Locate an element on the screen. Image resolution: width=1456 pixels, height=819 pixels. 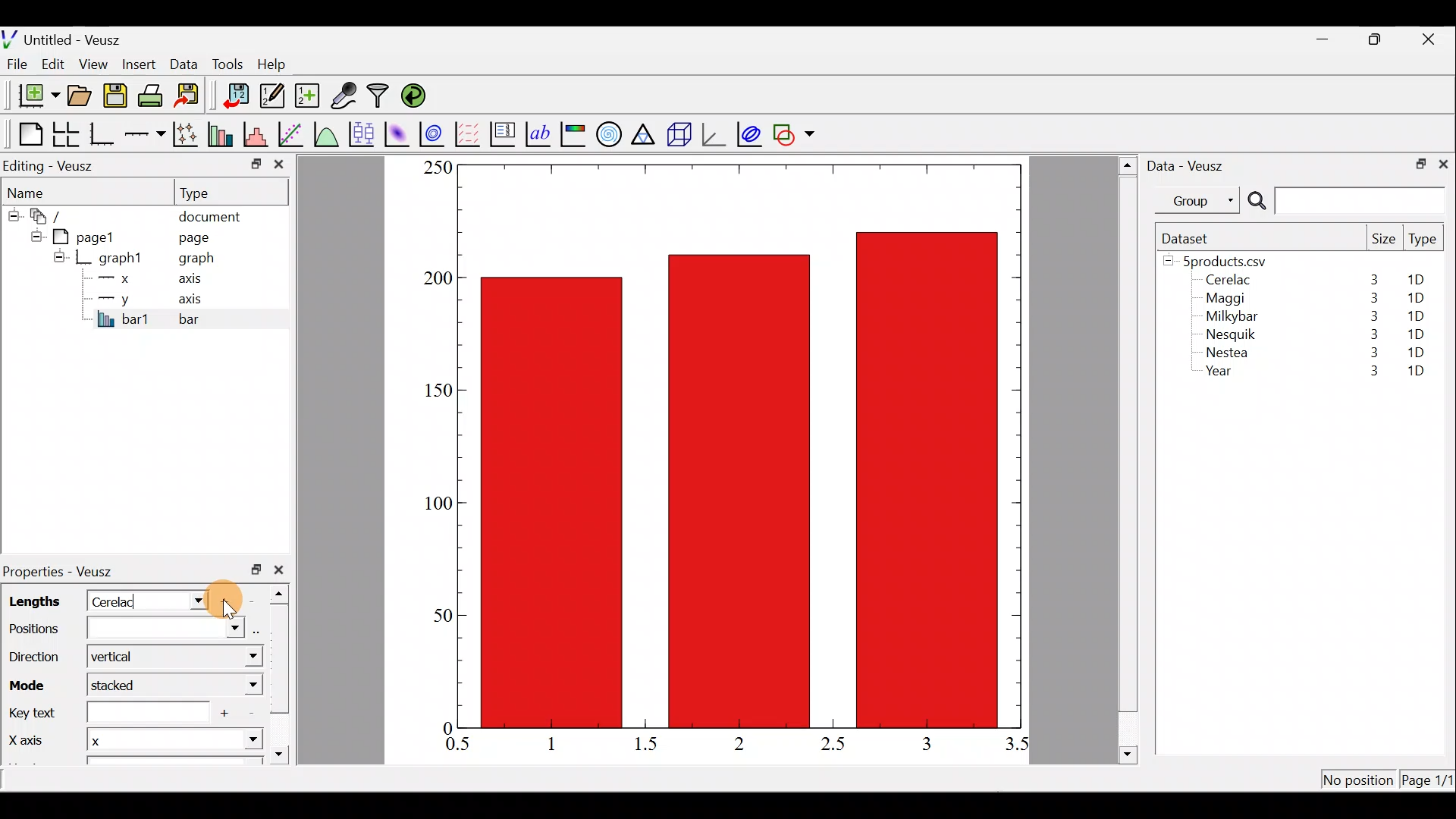
graph1 is located at coordinates (121, 259).